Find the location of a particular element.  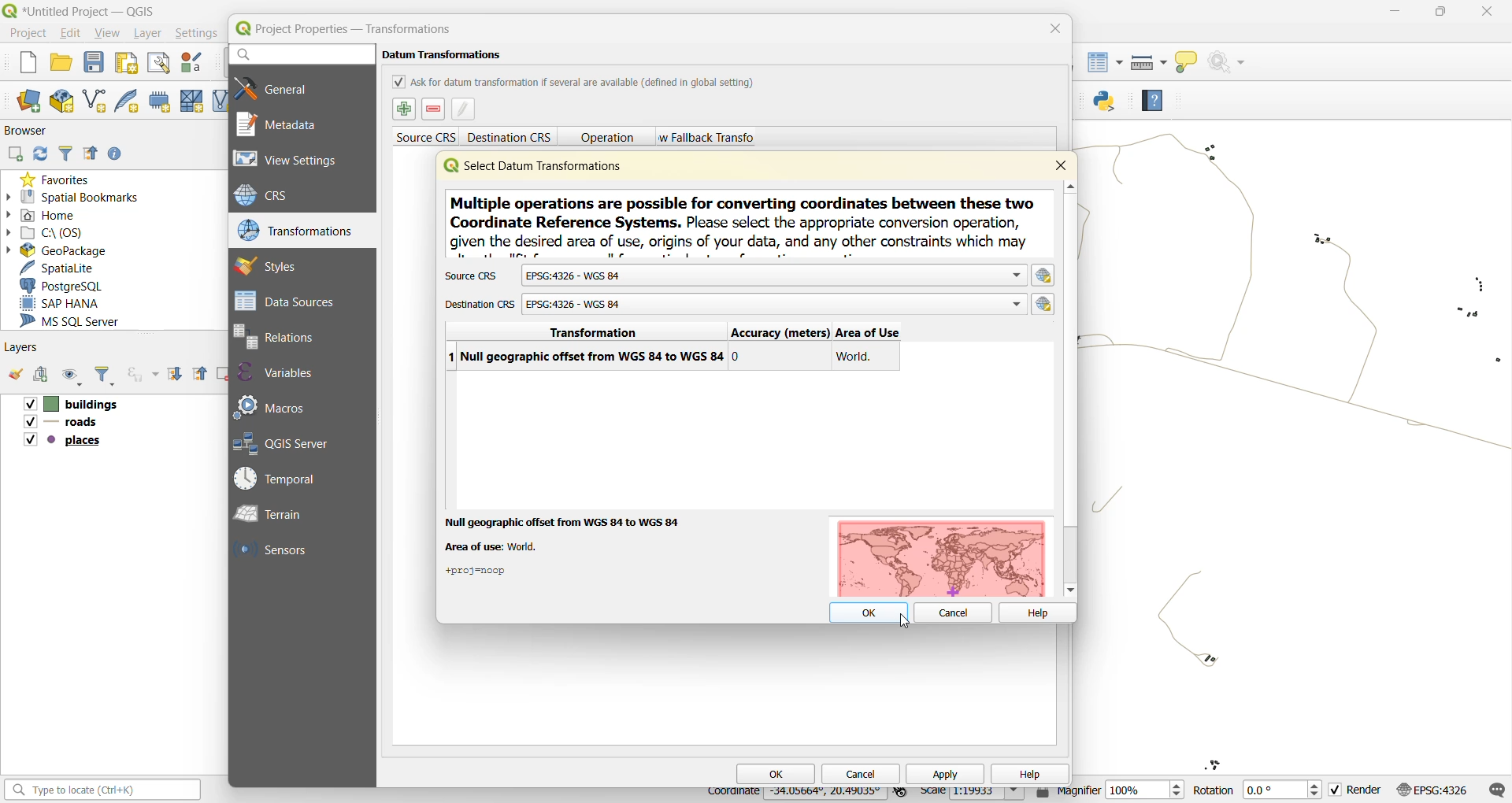

collapse all is located at coordinates (91, 154).